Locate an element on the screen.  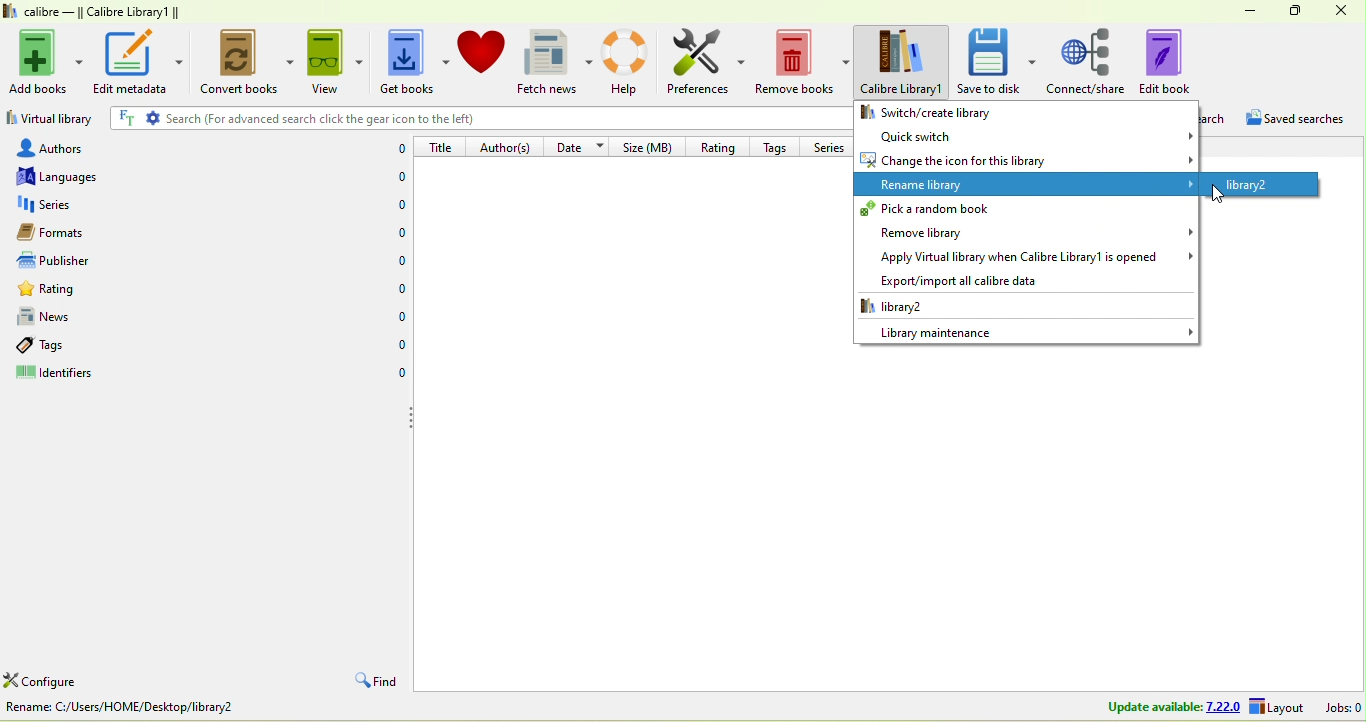
tags is located at coordinates (68, 345).